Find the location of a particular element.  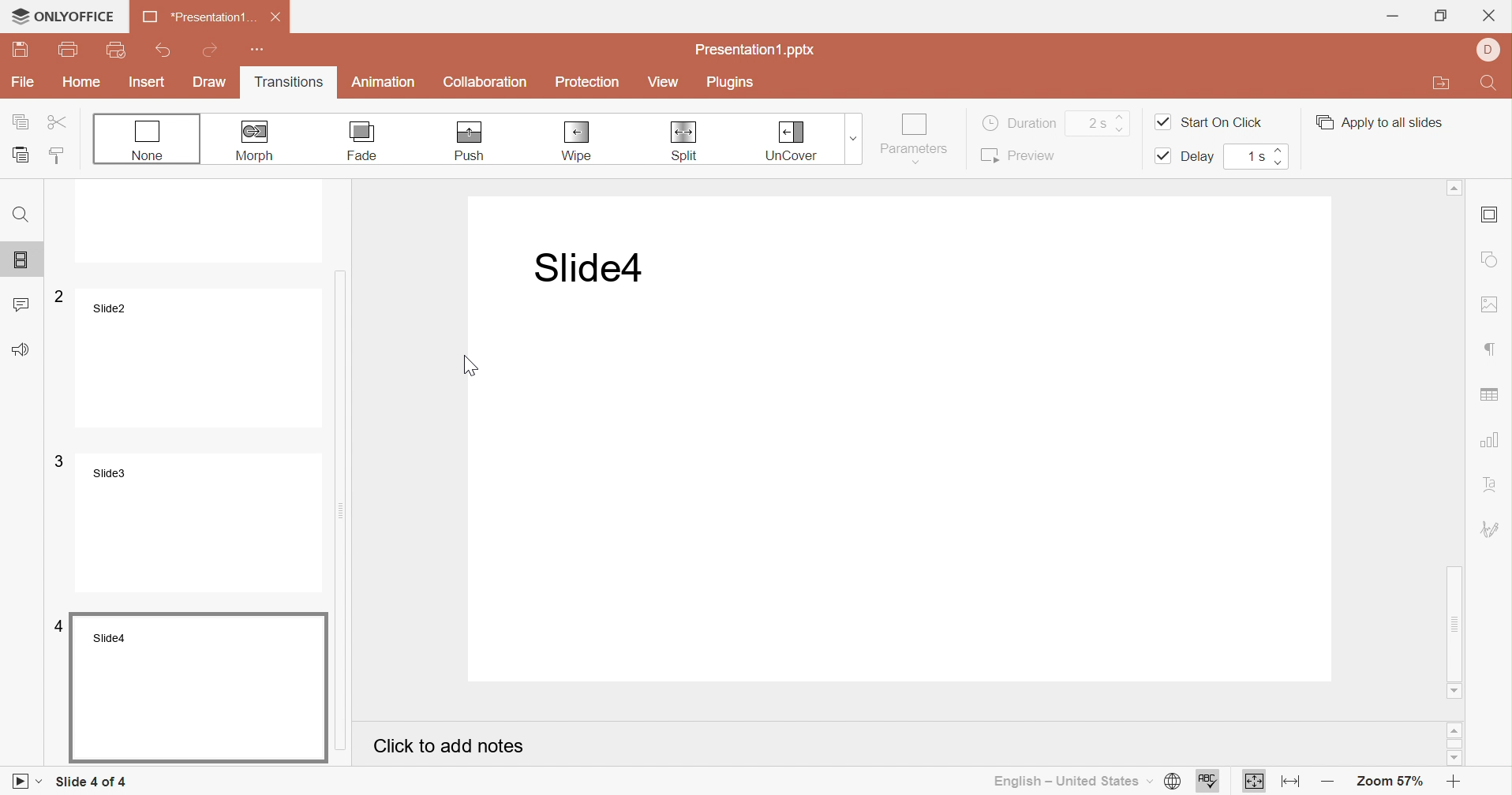

Home is located at coordinates (80, 81).